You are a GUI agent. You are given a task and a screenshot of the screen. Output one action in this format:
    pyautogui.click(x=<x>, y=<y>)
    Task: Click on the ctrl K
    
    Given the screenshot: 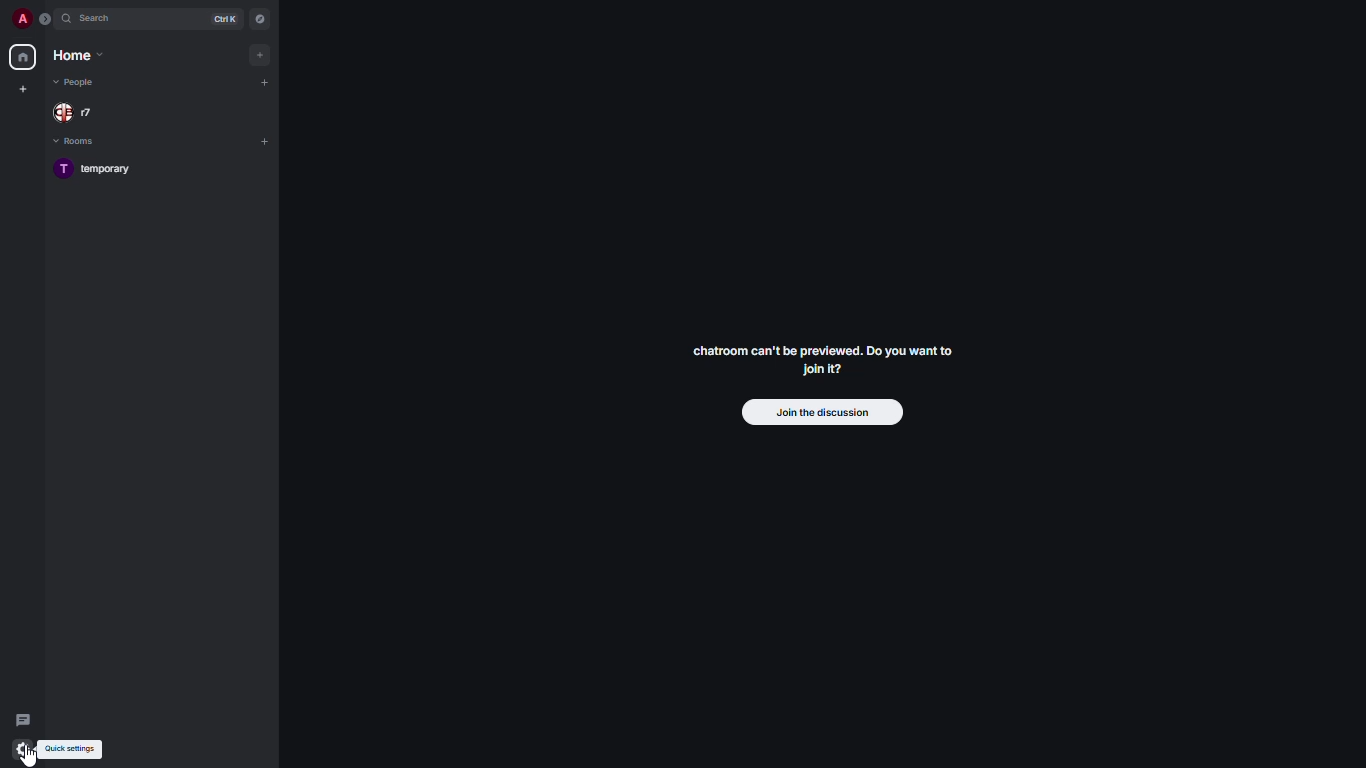 What is the action you would take?
    pyautogui.click(x=227, y=19)
    